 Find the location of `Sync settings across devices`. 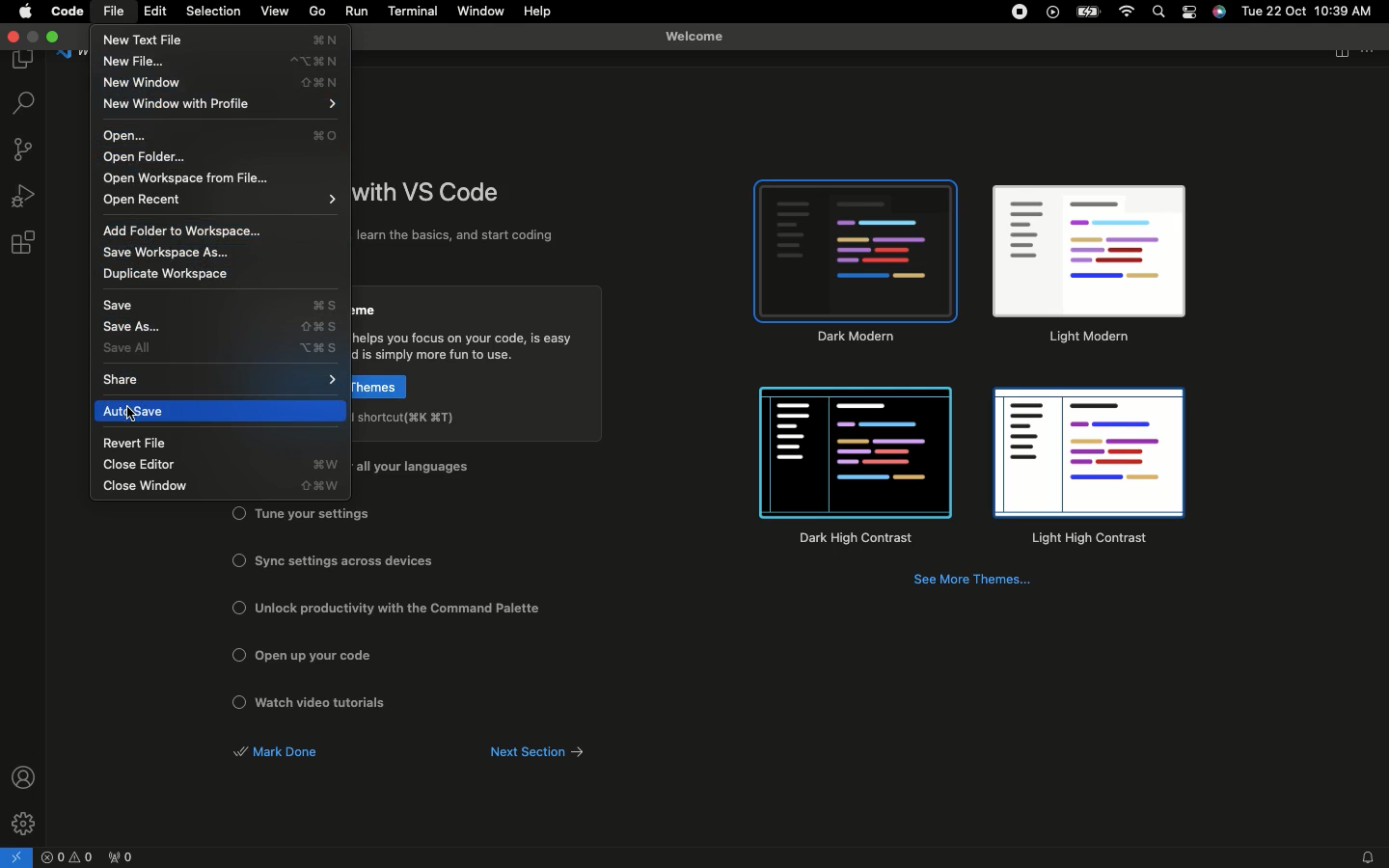

Sync settings across devices is located at coordinates (344, 560).